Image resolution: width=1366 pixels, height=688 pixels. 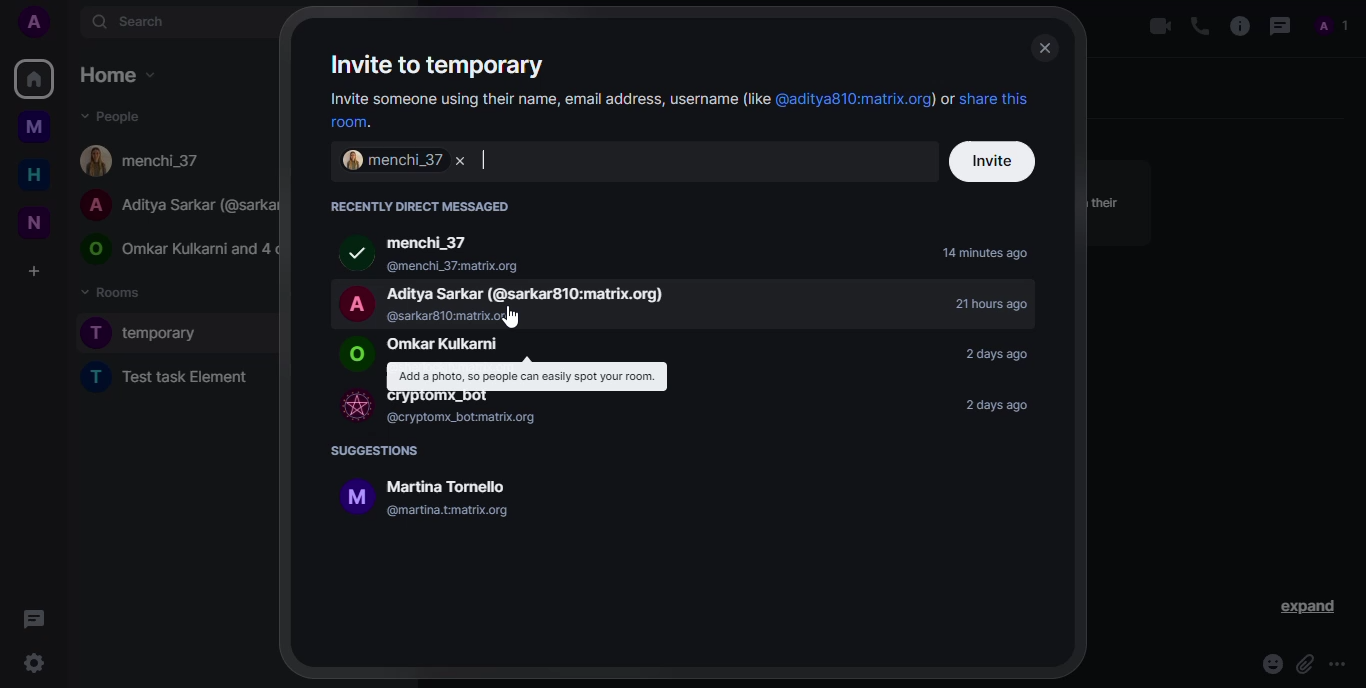 What do you see at coordinates (442, 398) in the screenshot?
I see `Cryplomx_bot` at bounding box center [442, 398].